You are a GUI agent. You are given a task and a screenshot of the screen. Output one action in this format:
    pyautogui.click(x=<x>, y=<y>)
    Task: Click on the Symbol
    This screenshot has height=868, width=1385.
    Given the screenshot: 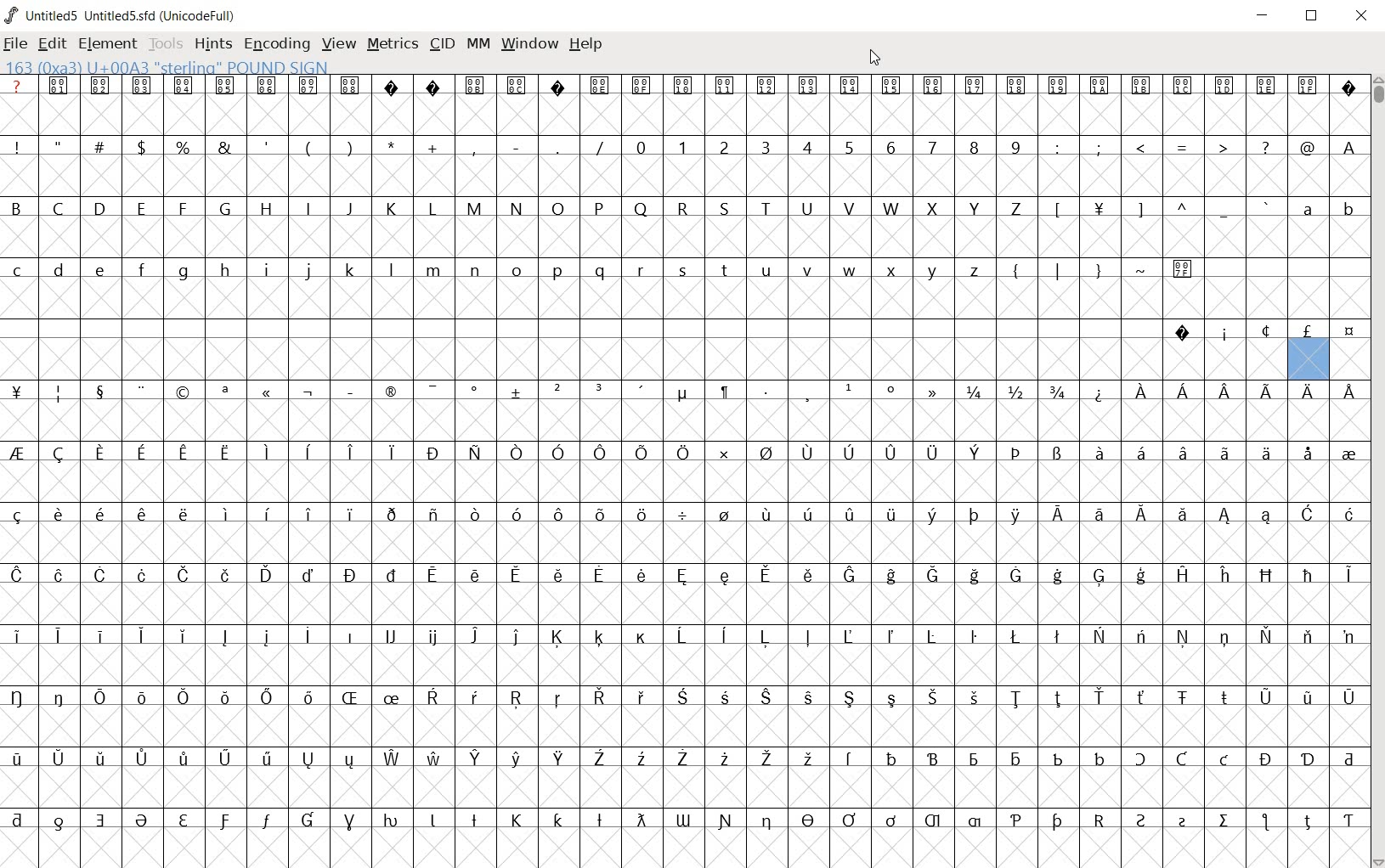 What is the action you would take?
    pyautogui.click(x=974, y=576)
    